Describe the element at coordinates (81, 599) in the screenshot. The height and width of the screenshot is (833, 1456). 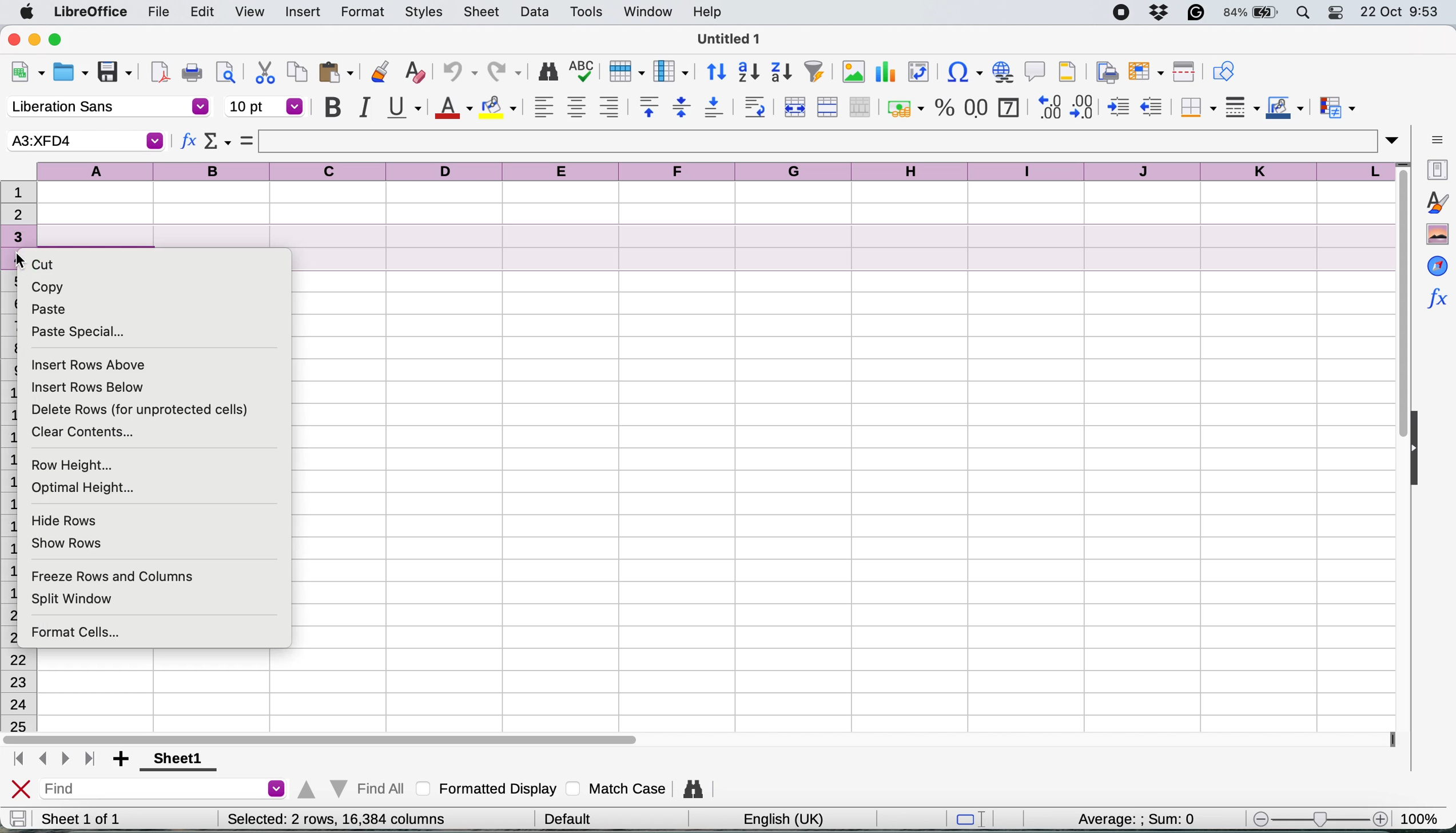
I see `split window` at that location.